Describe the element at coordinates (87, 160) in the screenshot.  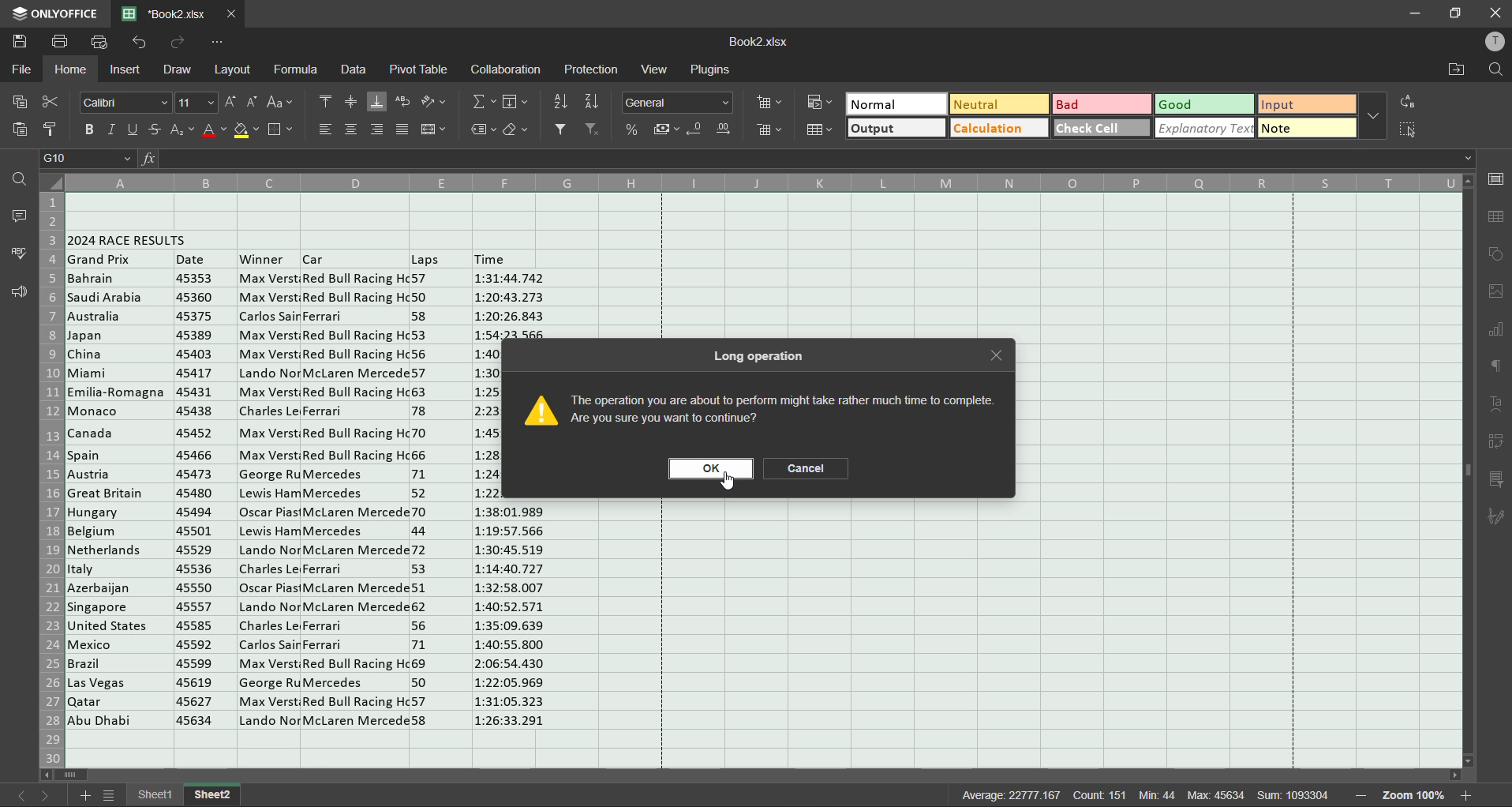
I see `cell address` at that location.